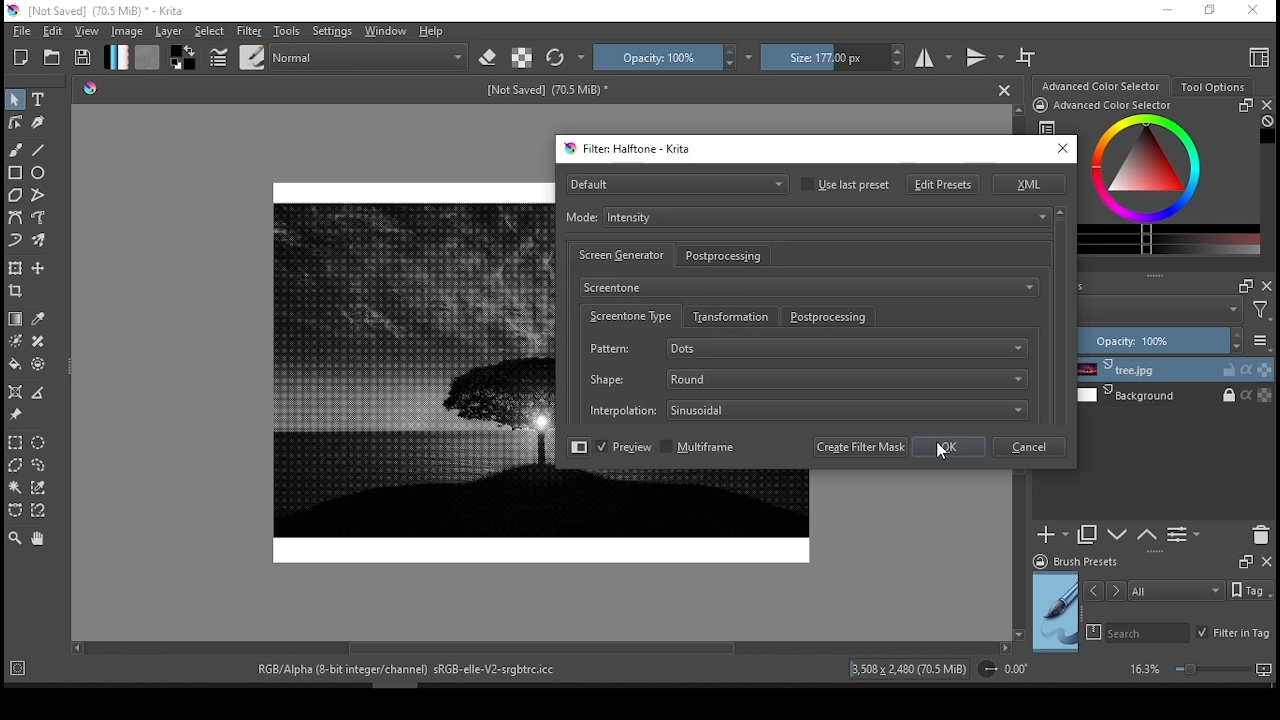 This screenshot has height=720, width=1280. I want to click on measure the distance between two points, so click(38, 393).